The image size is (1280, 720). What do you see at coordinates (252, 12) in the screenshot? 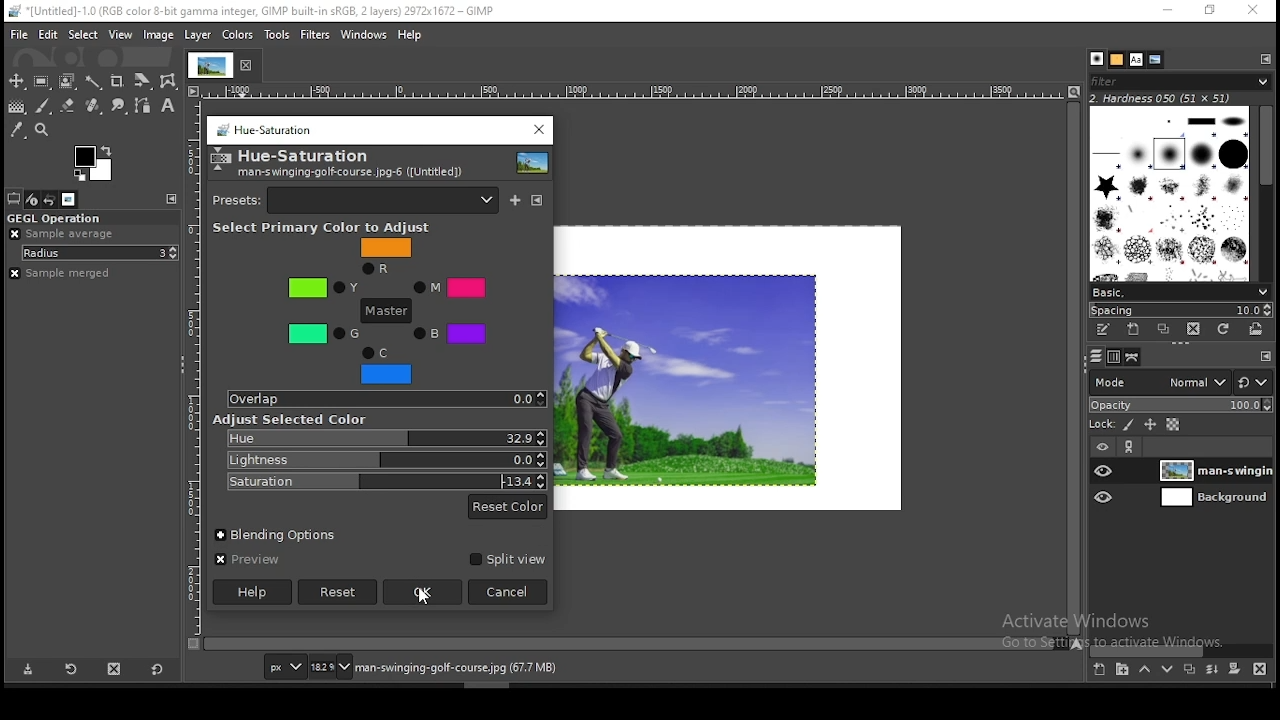
I see `*[untitled]-1.0 (rgb color 8-bit gamma integer, Gimp built in sRGB, 2 layers) 2972x1672 - gimp` at bounding box center [252, 12].